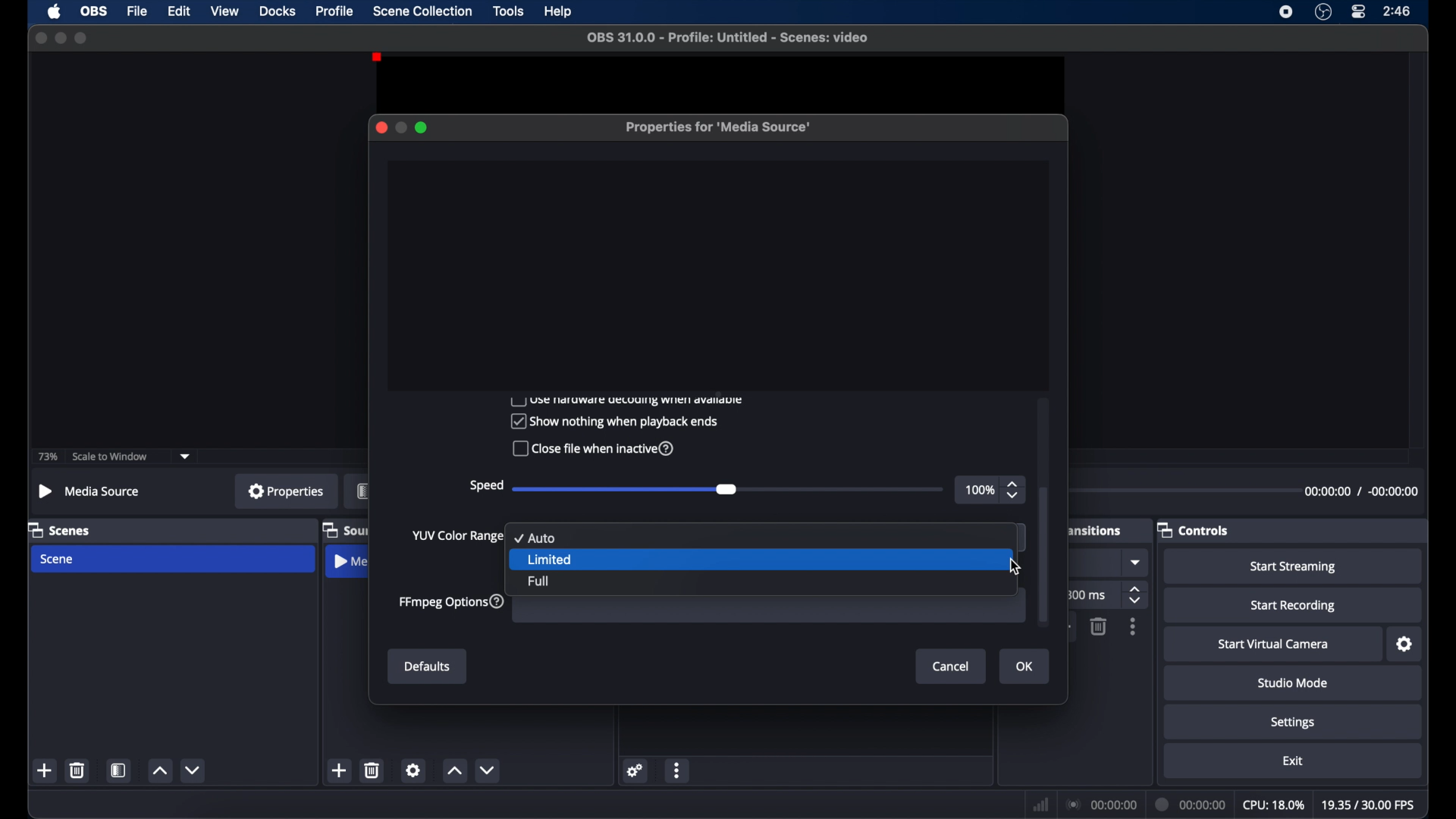 The height and width of the screenshot is (819, 1456). Describe the element at coordinates (1367, 805) in the screenshot. I see `fps` at that location.